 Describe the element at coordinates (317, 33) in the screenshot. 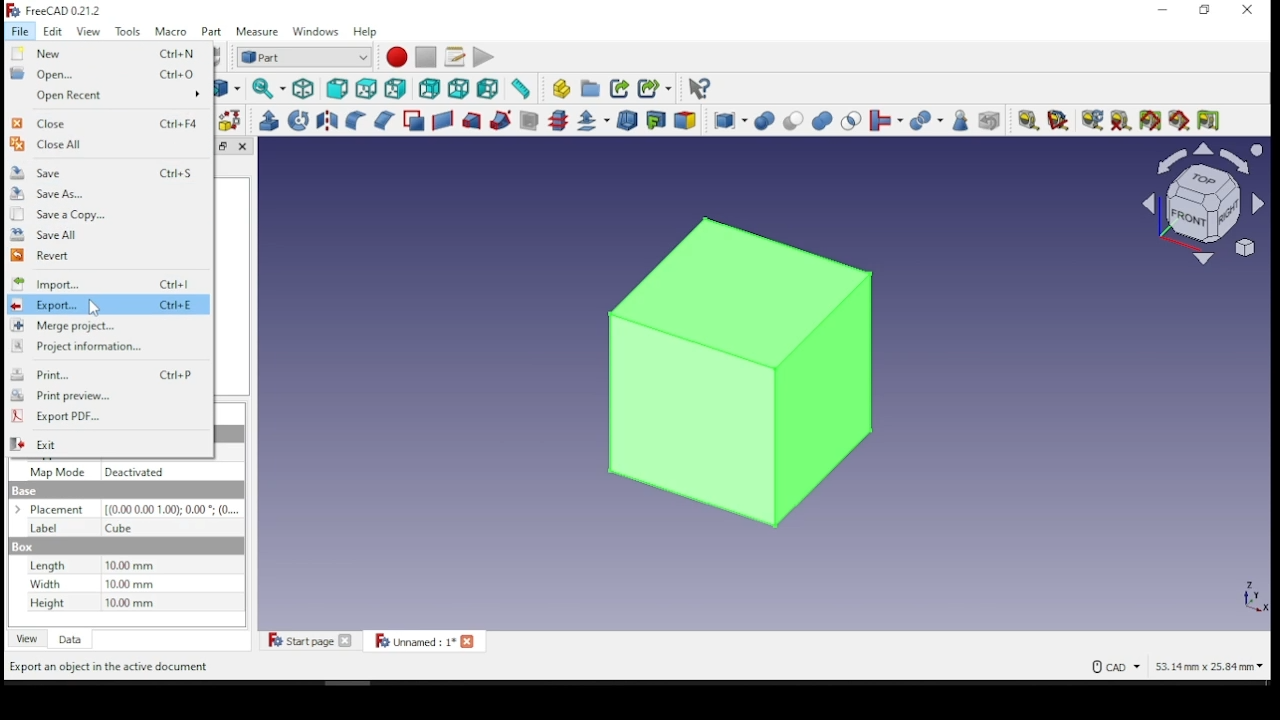

I see `windows` at that location.